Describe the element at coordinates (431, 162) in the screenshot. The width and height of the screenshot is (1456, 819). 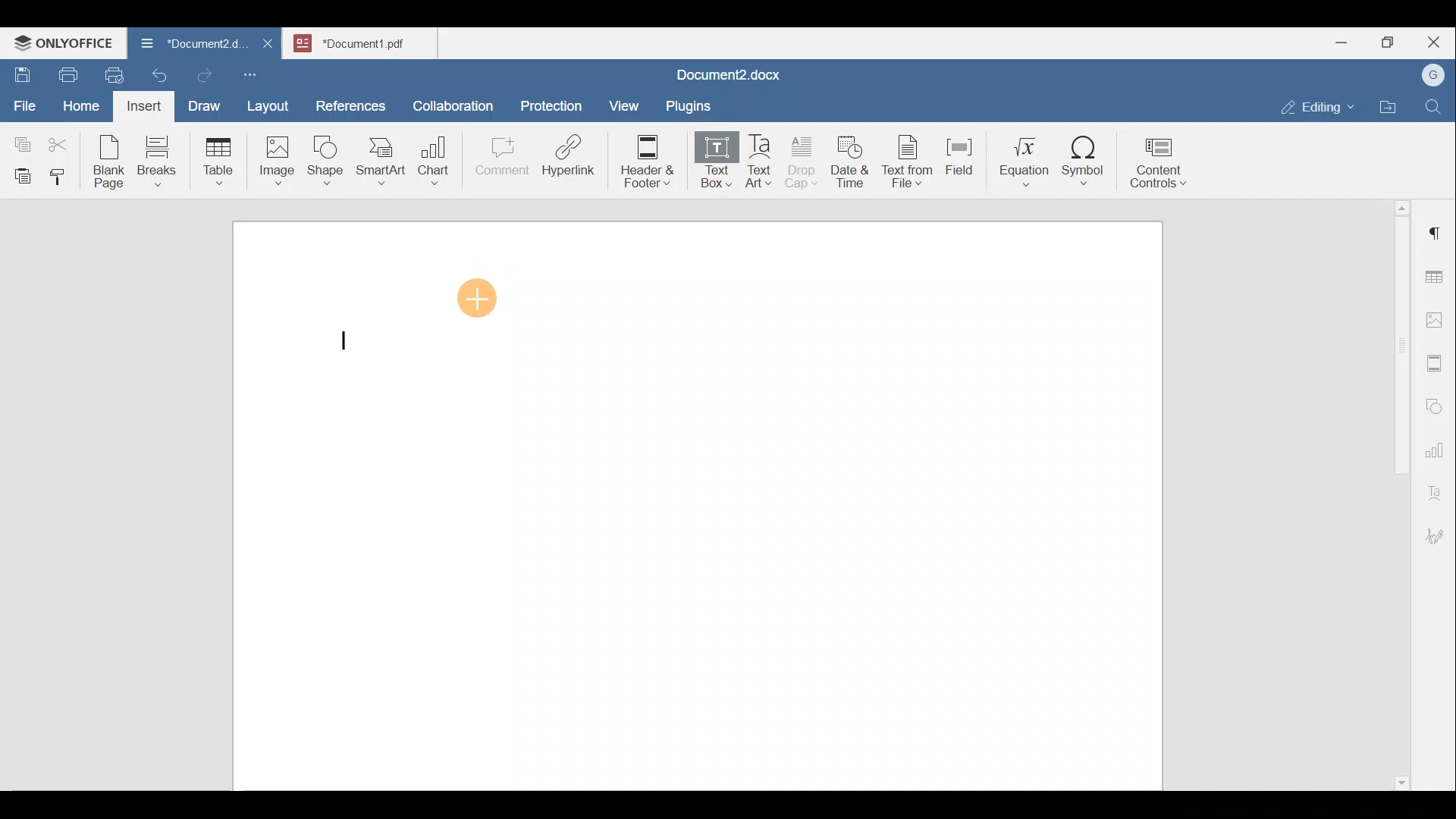
I see `Chart` at that location.